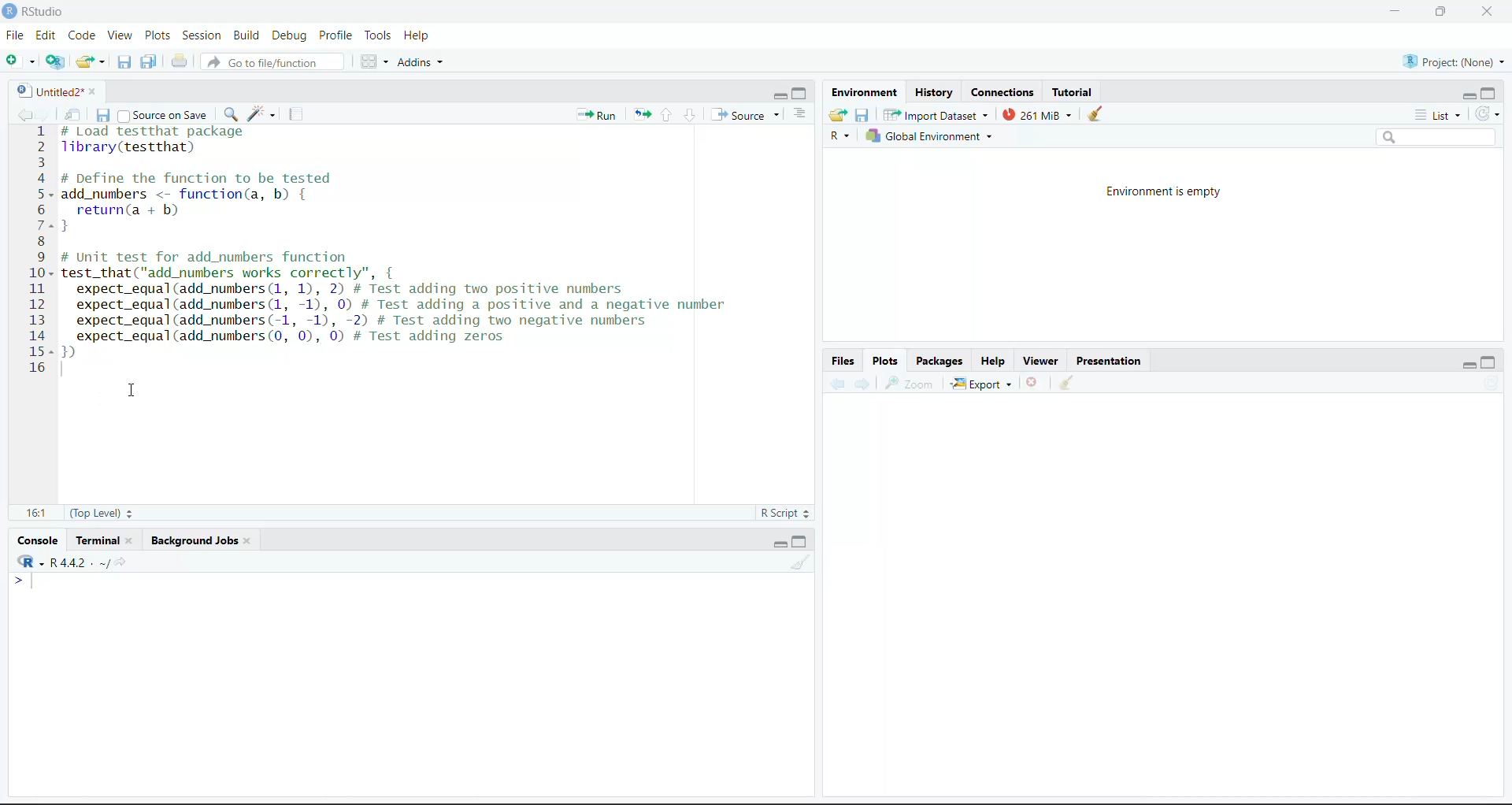 The image size is (1512, 805). I want to click on Workspace panes, so click(375, 62).